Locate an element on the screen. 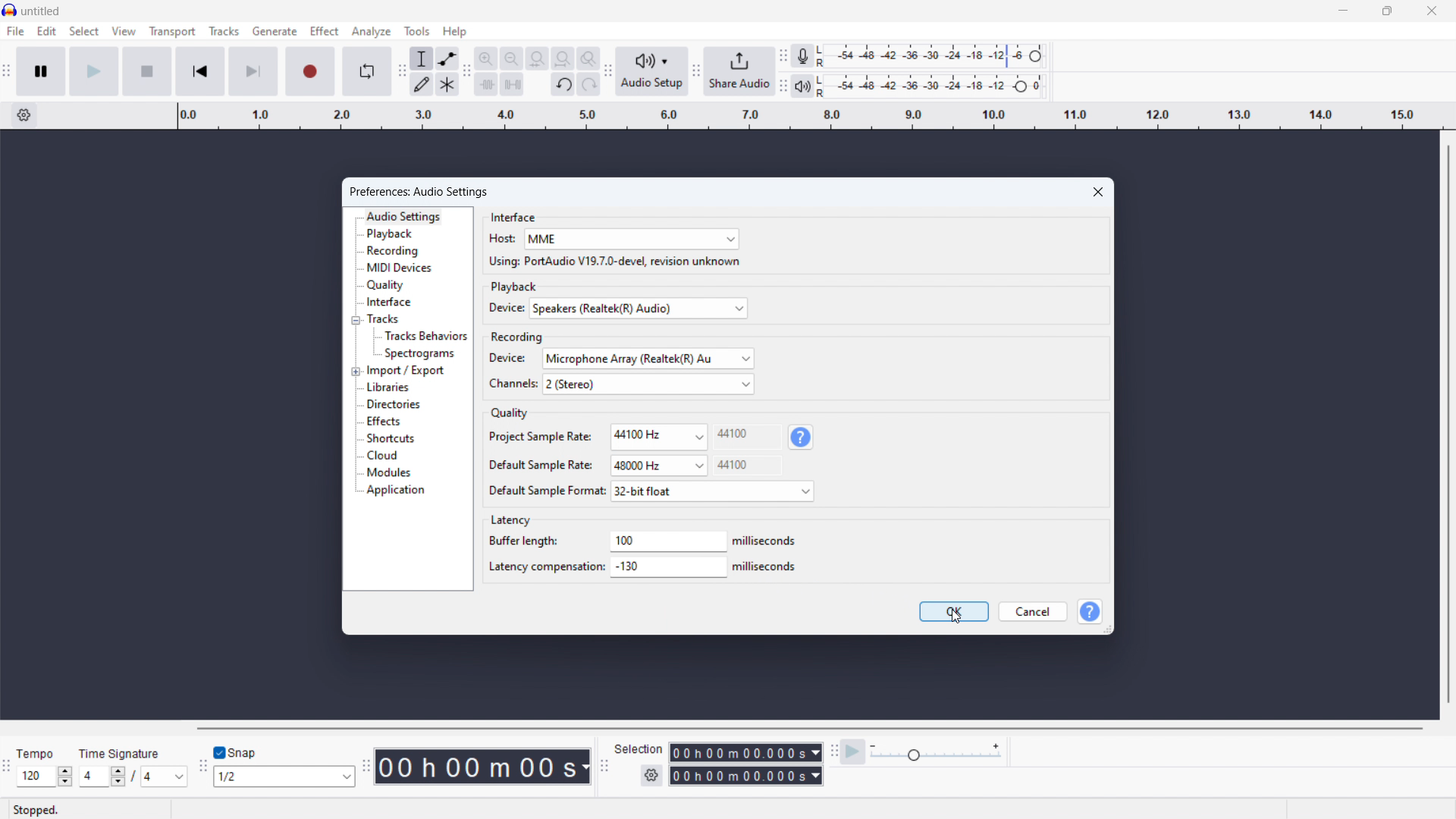  default sample format is located at coordinates (711, 491).